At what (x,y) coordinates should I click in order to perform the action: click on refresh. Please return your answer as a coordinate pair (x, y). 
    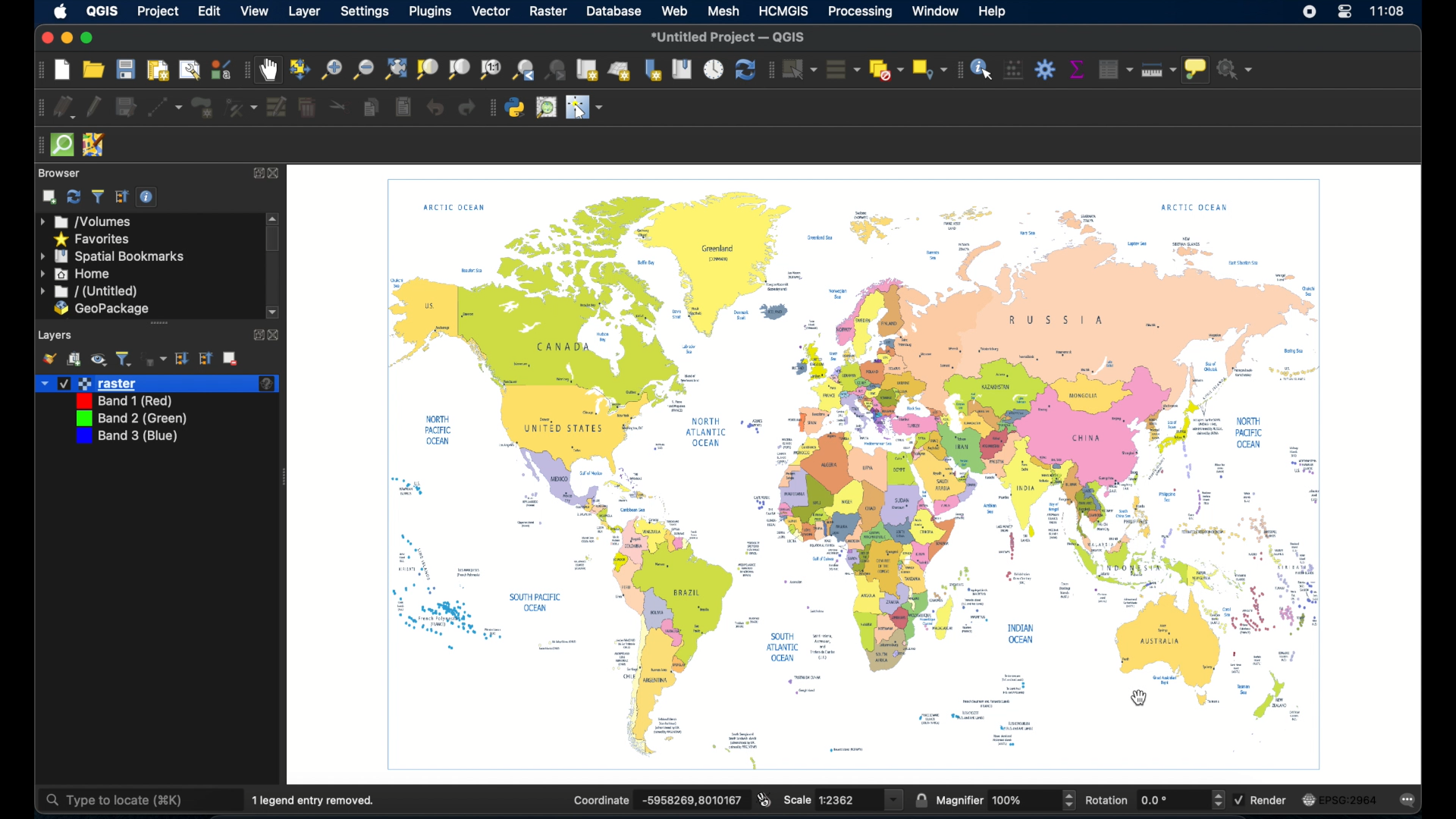
    Looking at the image, I should click on (745, 71).